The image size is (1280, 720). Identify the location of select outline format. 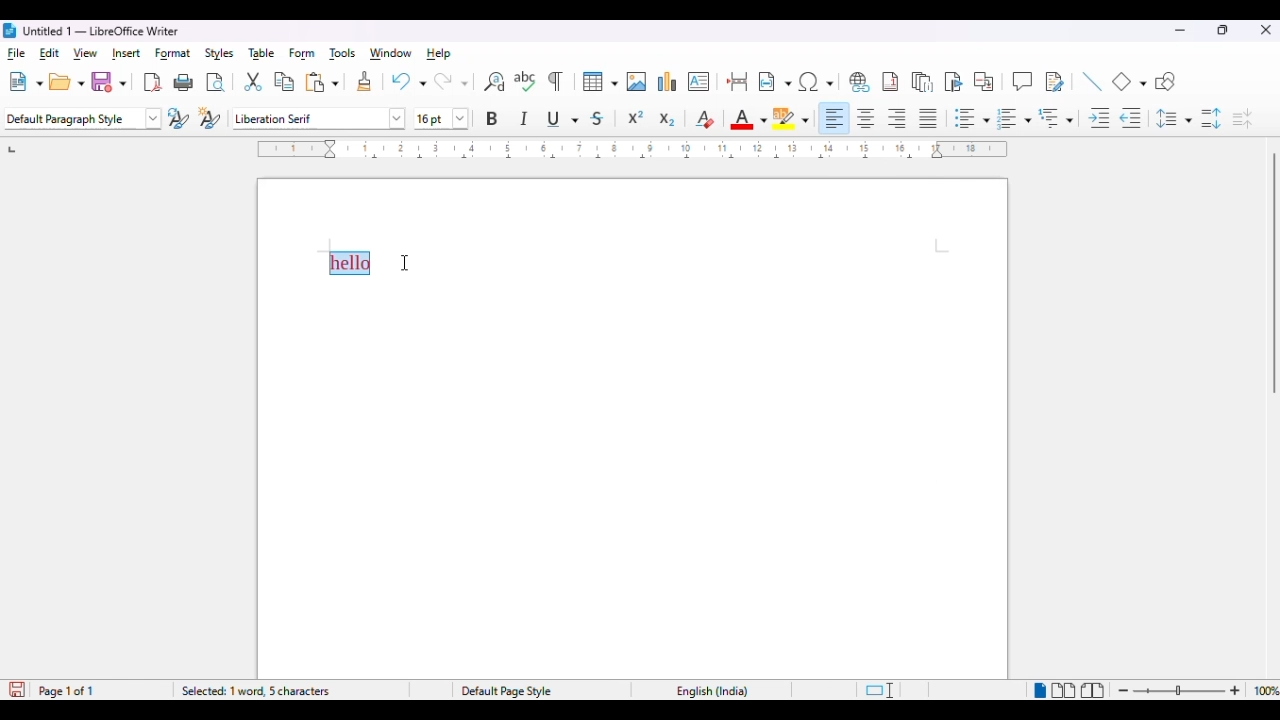
(1056, 118).